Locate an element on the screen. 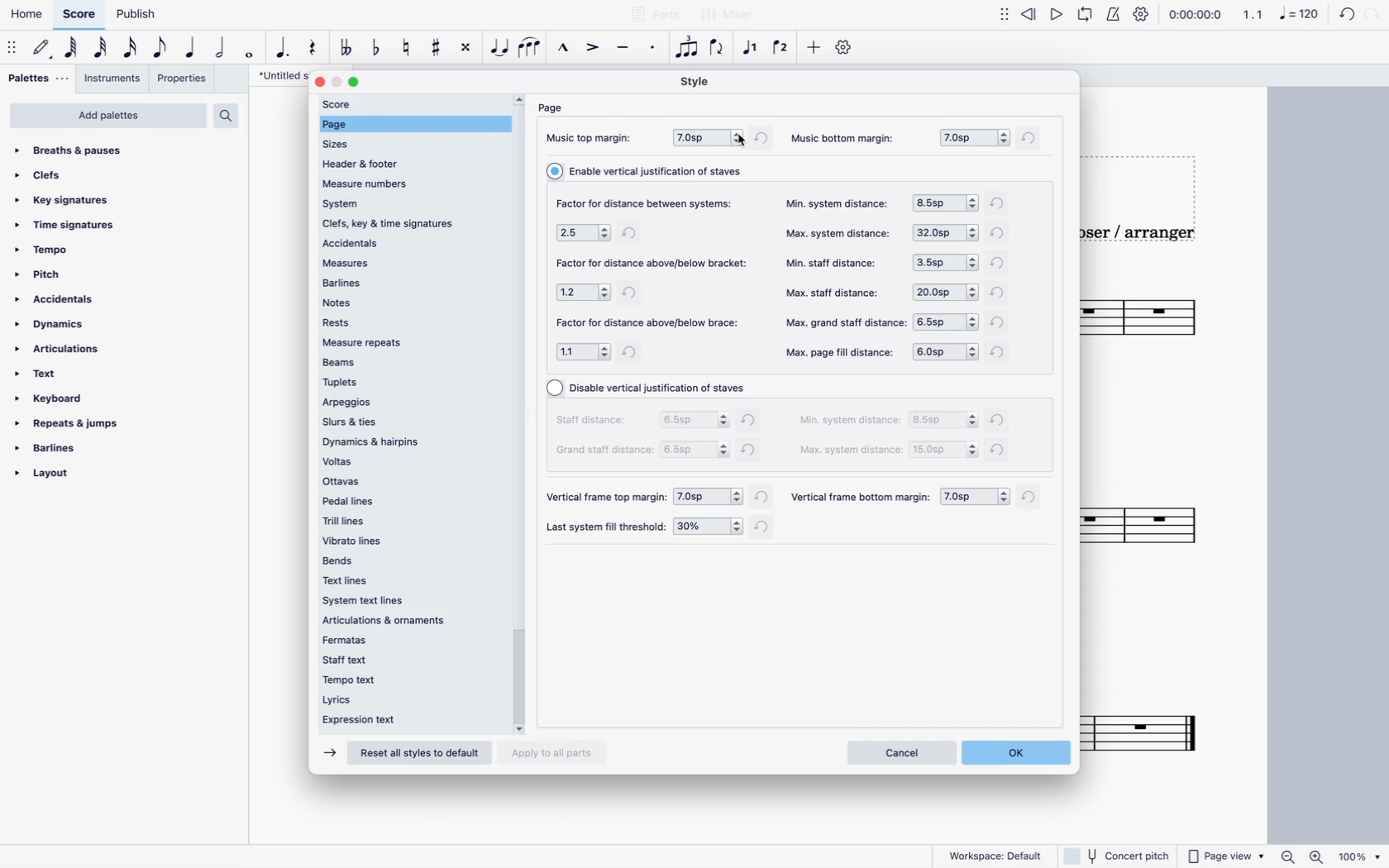 Image resolution: width=1389 pixels, height=868 pixels. metronome is located at coordinates (1115, 17).